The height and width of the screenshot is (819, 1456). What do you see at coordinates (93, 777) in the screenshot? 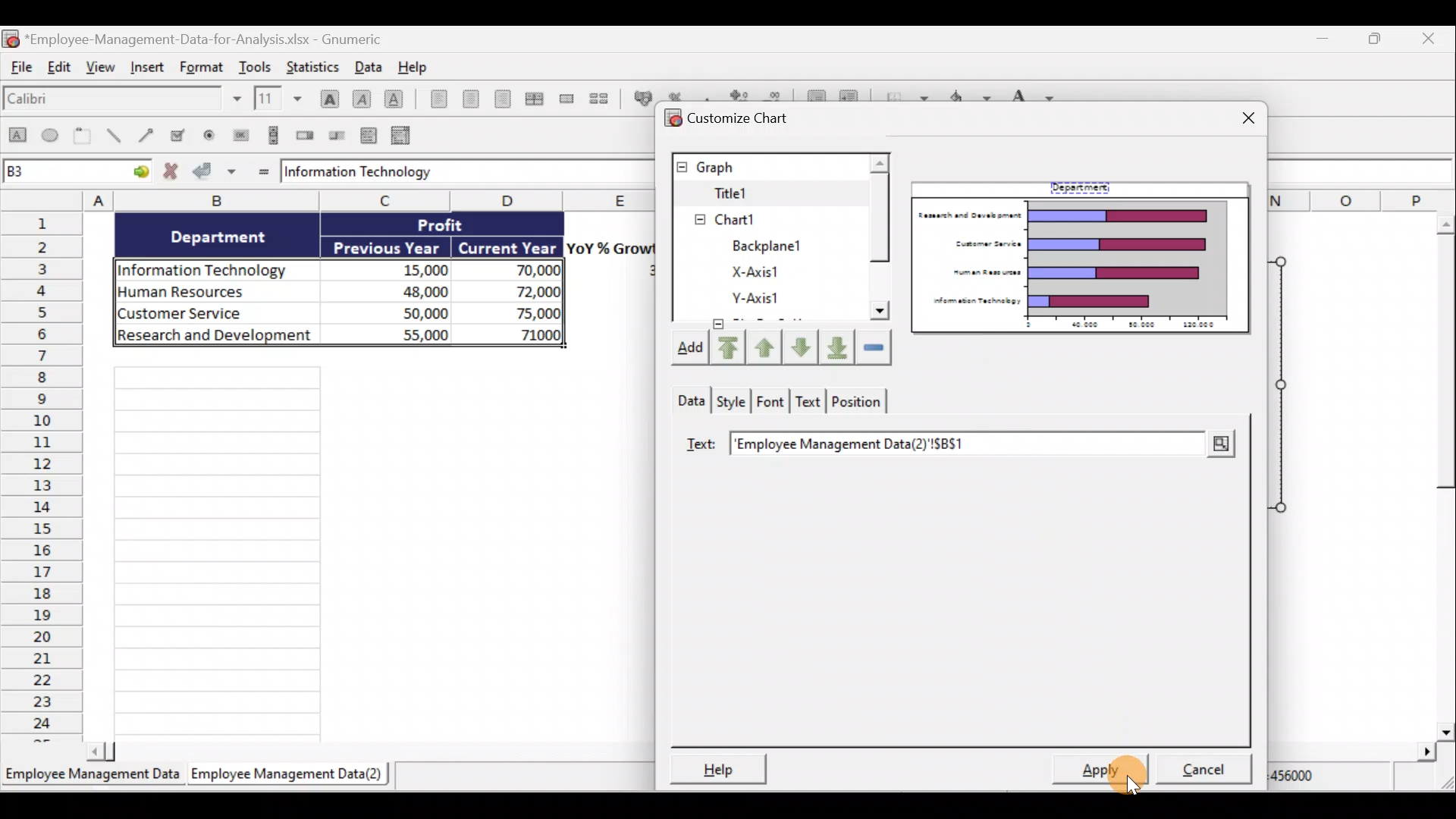
I see `Sheet 1` at bounding box center [93, 777].